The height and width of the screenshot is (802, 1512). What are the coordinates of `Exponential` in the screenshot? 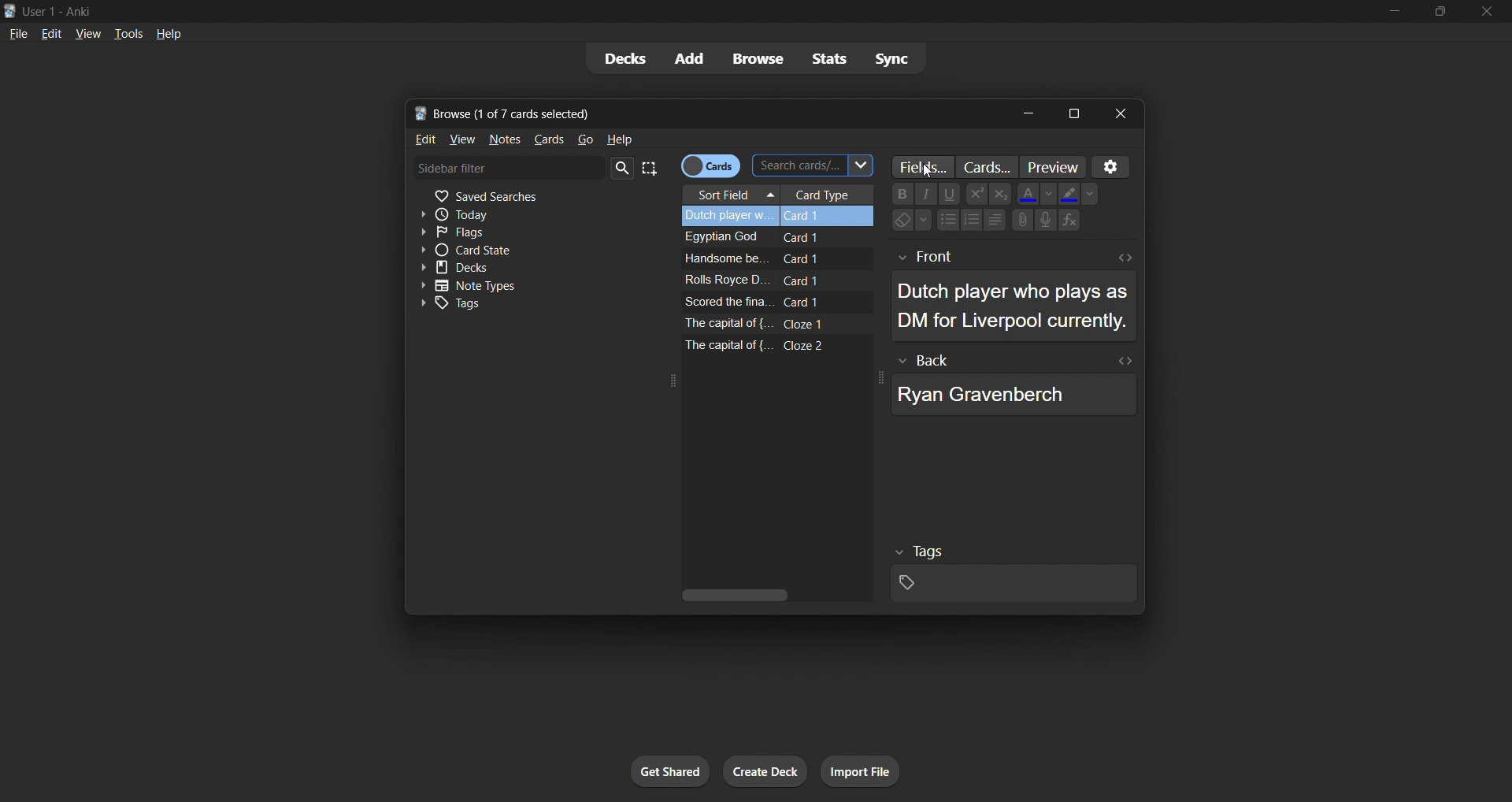 It's located at (999, 192).